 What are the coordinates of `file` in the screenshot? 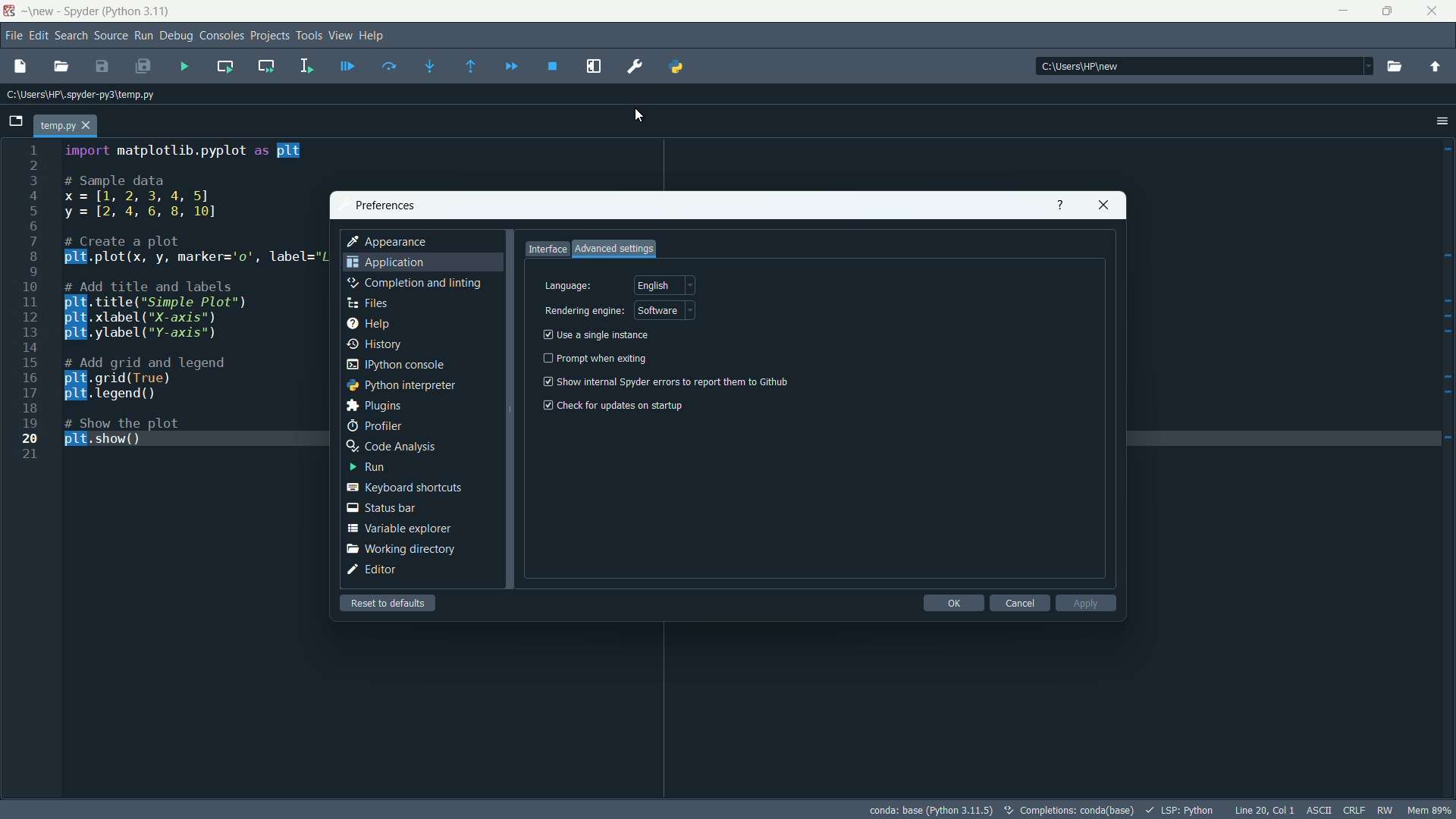 It's located at (11, 36).